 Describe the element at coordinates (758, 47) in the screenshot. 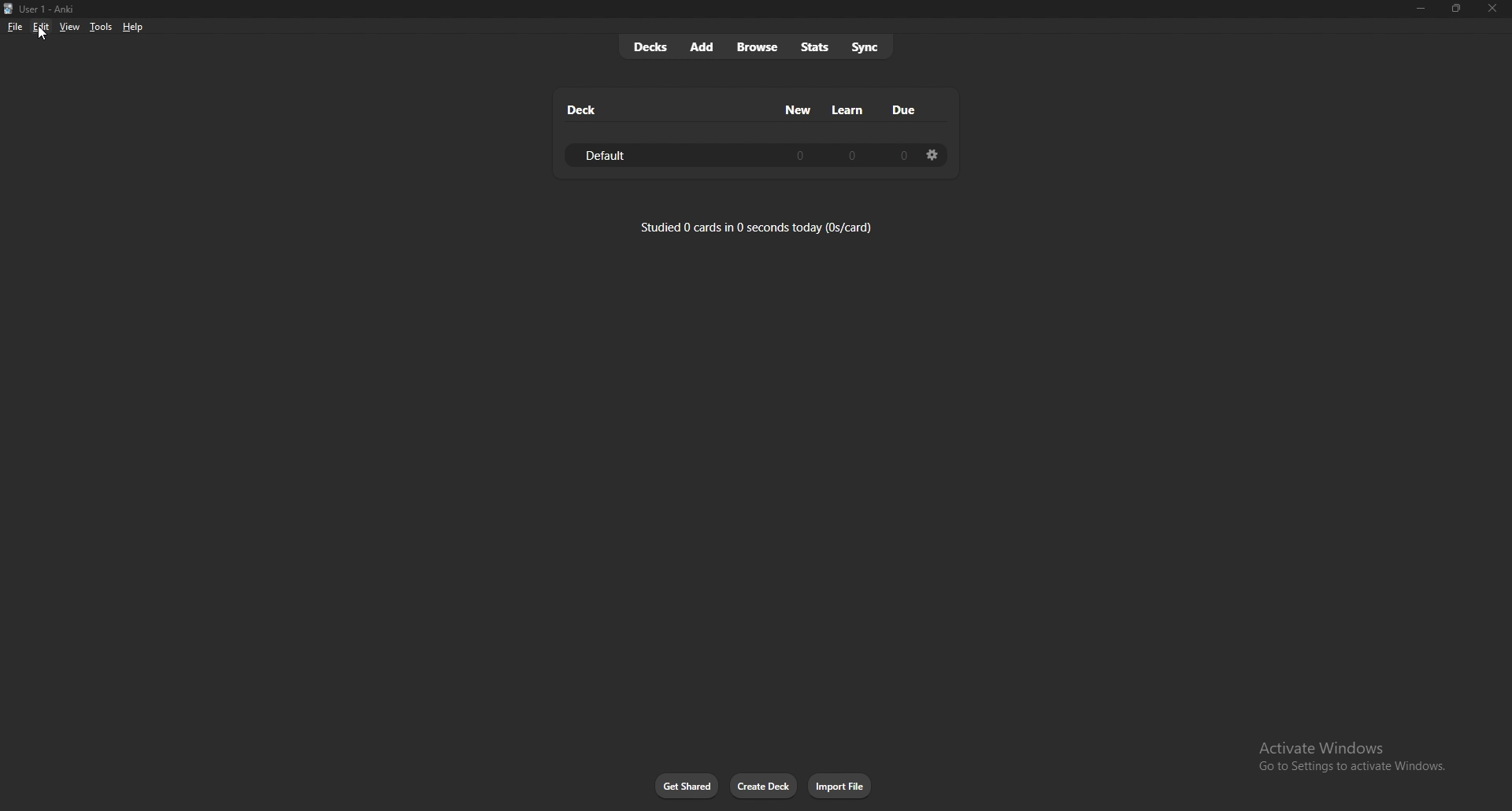

I see `browse` at that location.